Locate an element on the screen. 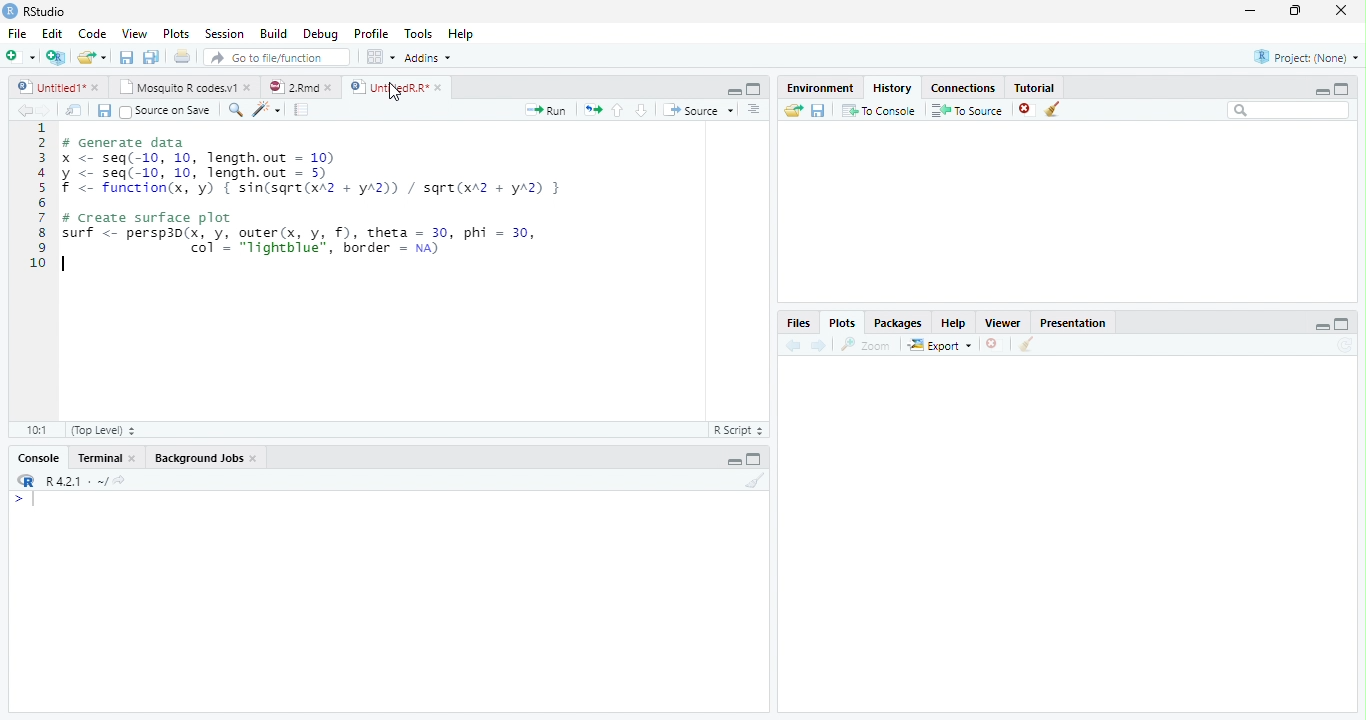 The width and height of the screenshot is (1366, 720). R Script is located at coordinates (741, 430).